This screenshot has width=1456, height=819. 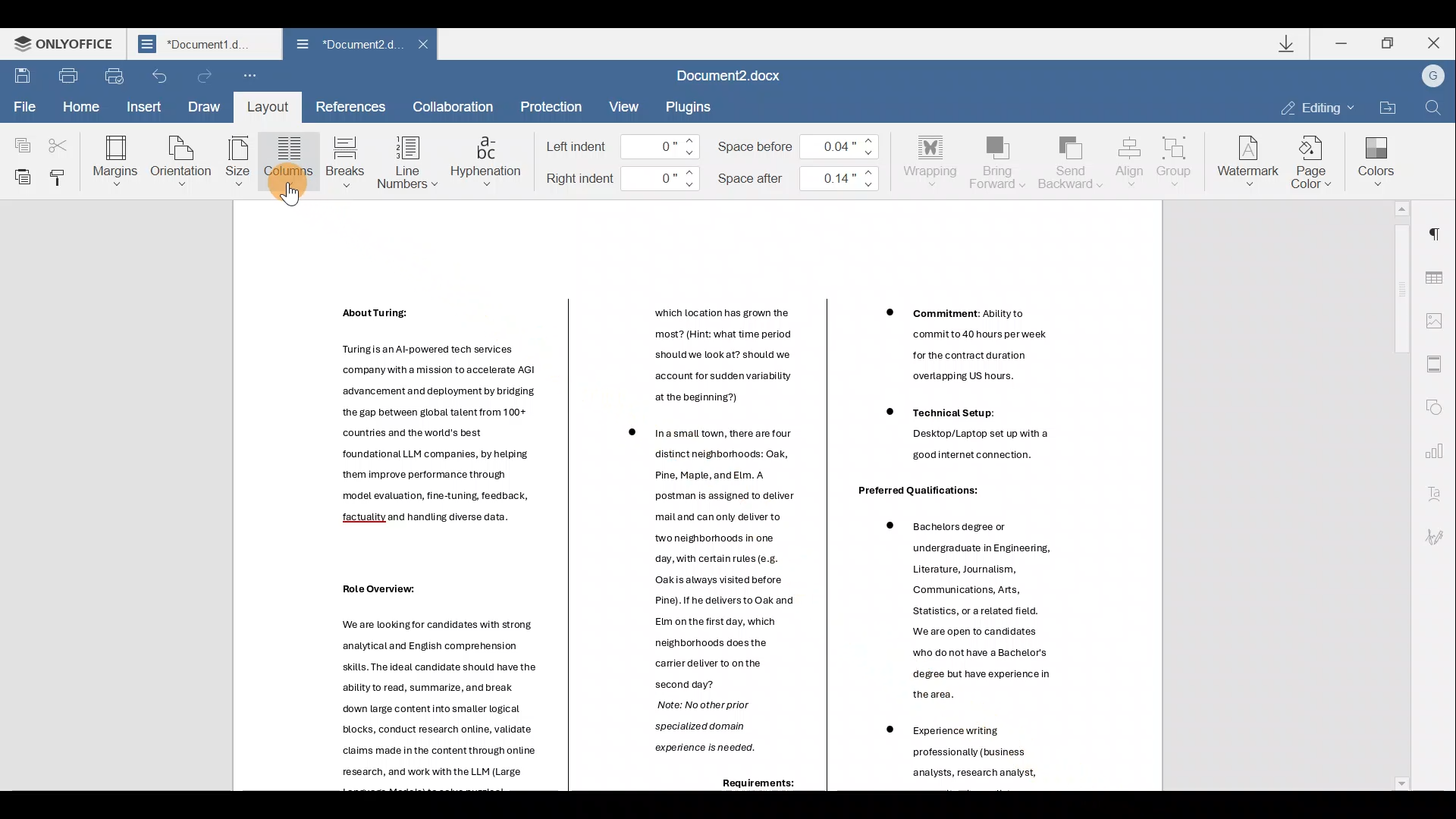 What do you see at coordinates (205, 104) in the screenshot?
I see `Draw` at bounding box center [205, 104].